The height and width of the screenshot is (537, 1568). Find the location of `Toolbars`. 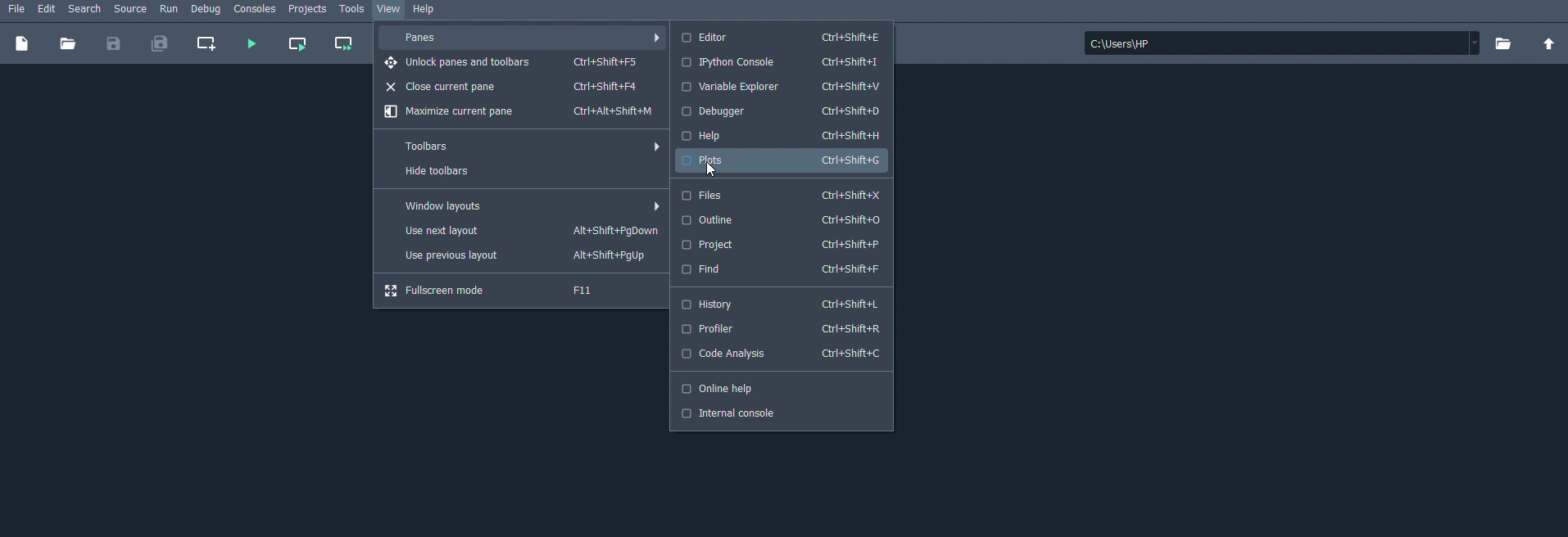

Toolbars is located at coordinates (528, 144).